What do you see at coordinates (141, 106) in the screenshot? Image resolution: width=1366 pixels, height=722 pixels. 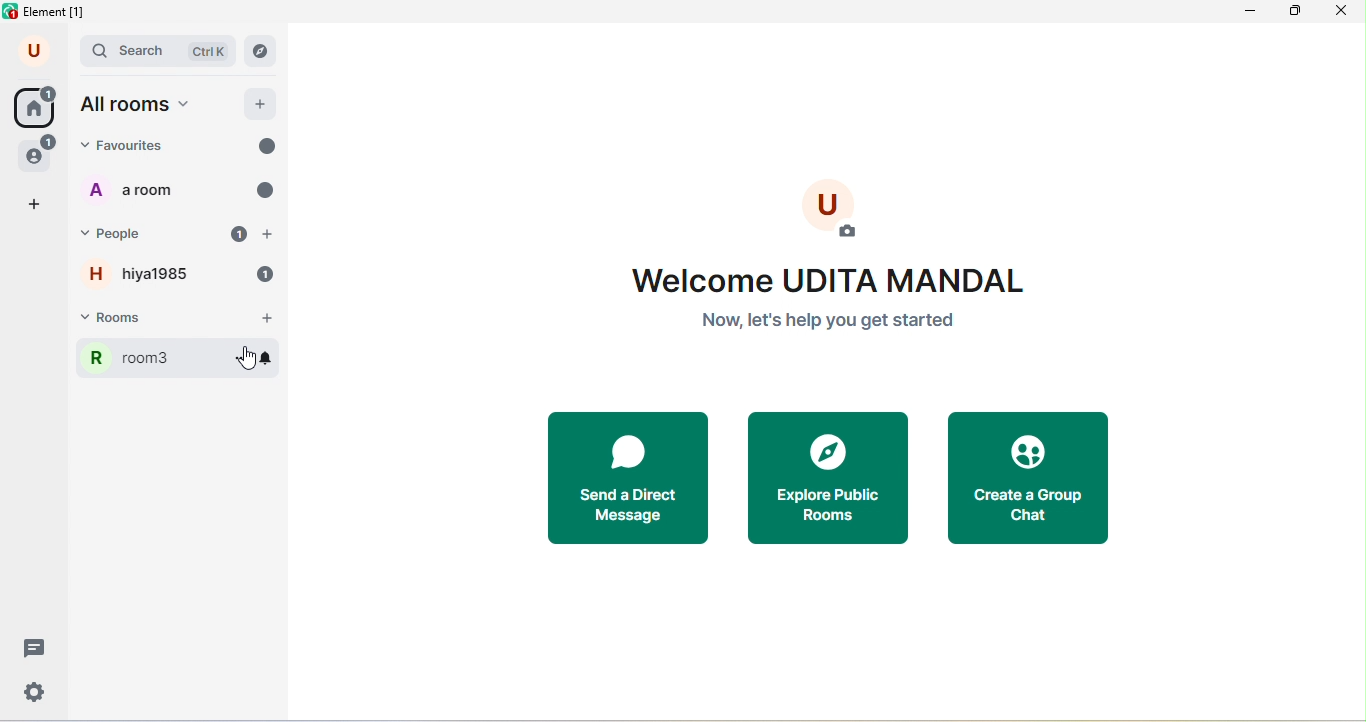 I see `all rooms` at bounding box center [141, 106].